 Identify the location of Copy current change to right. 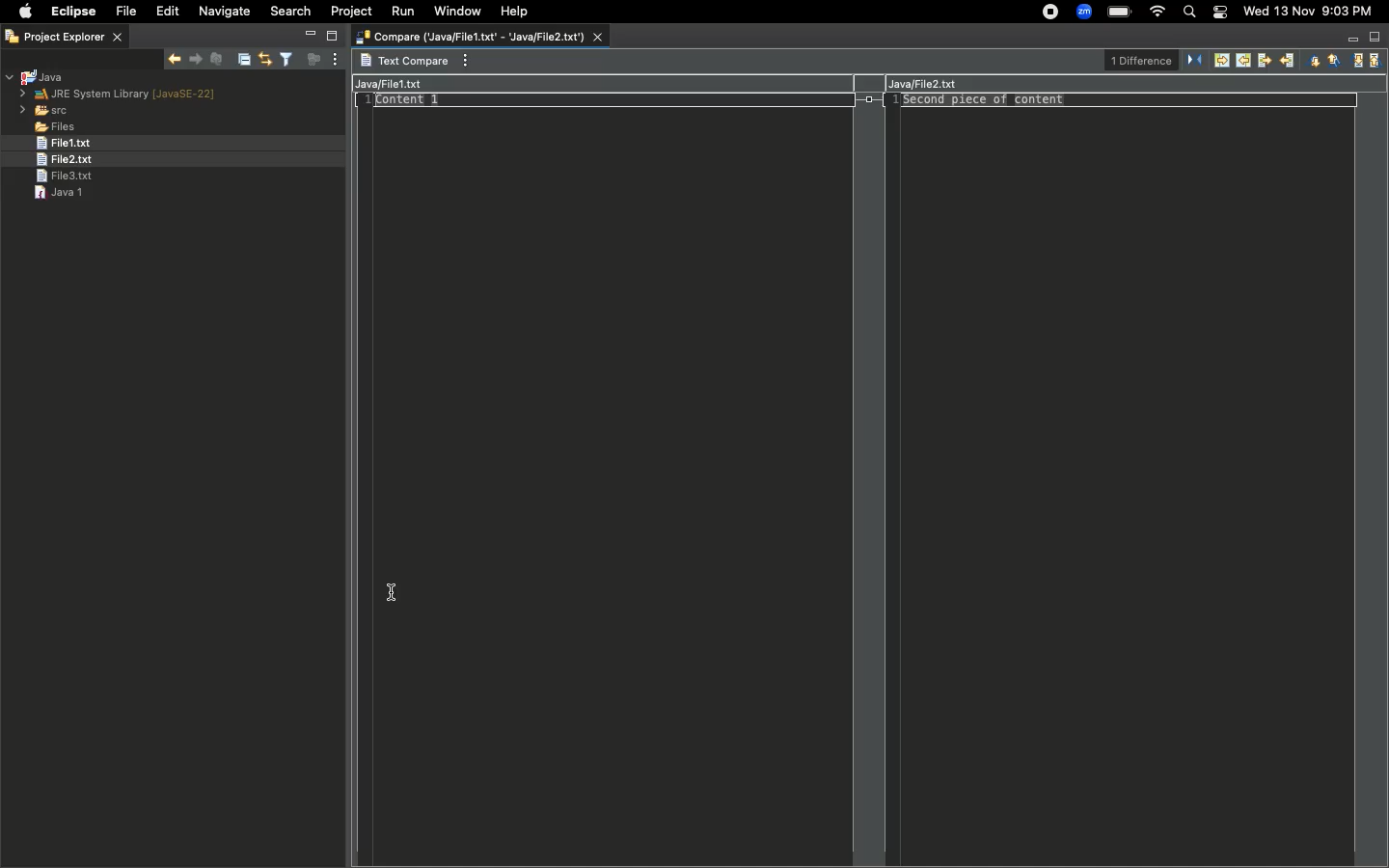
(1266, 60).